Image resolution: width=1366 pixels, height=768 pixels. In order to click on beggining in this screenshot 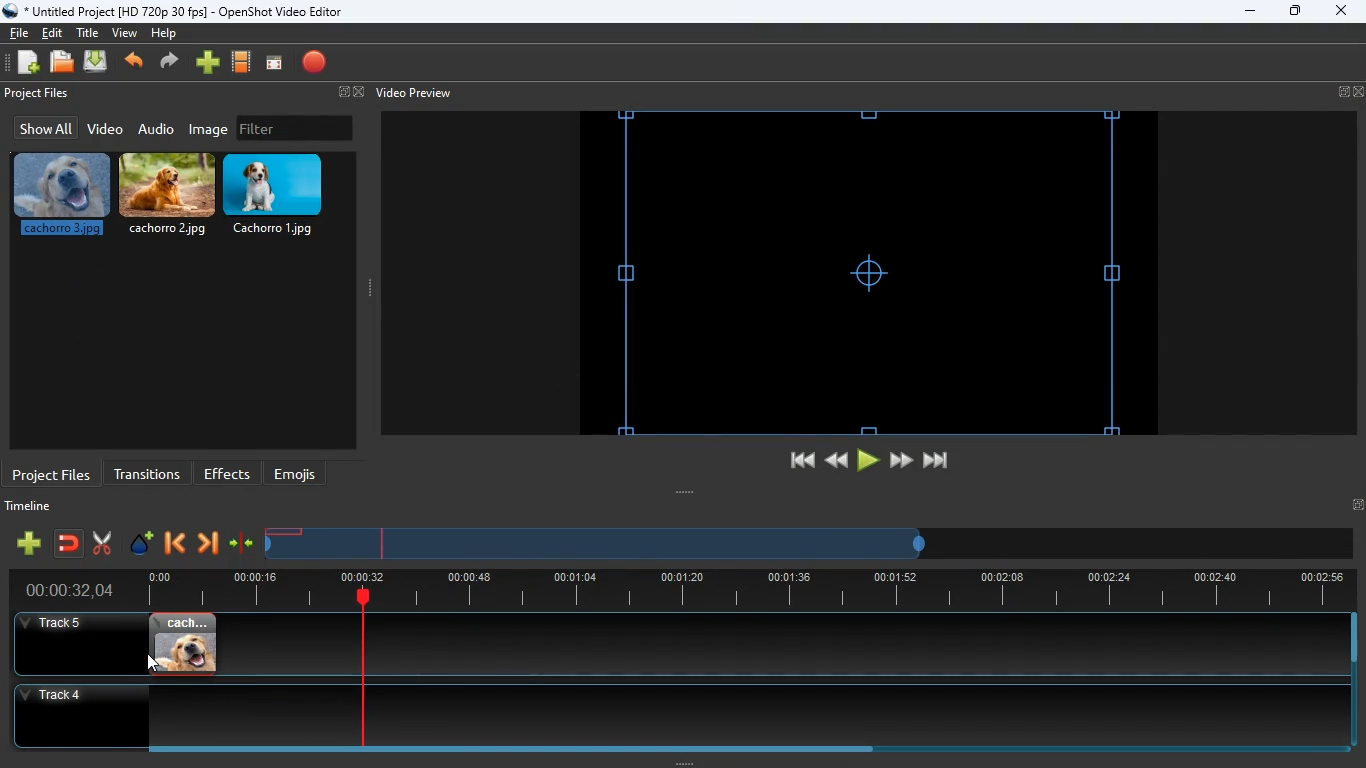, I will do `click(793, 461)`.